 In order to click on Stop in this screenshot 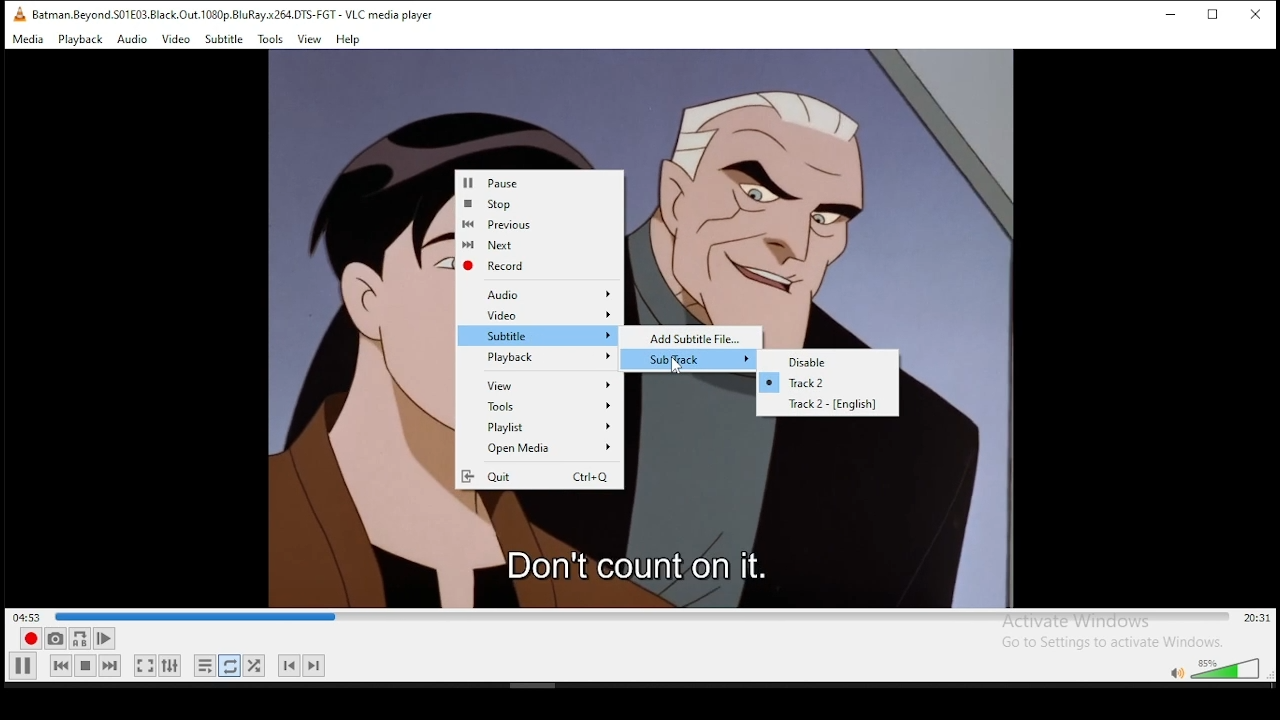, I will do `click(539, 205)`.